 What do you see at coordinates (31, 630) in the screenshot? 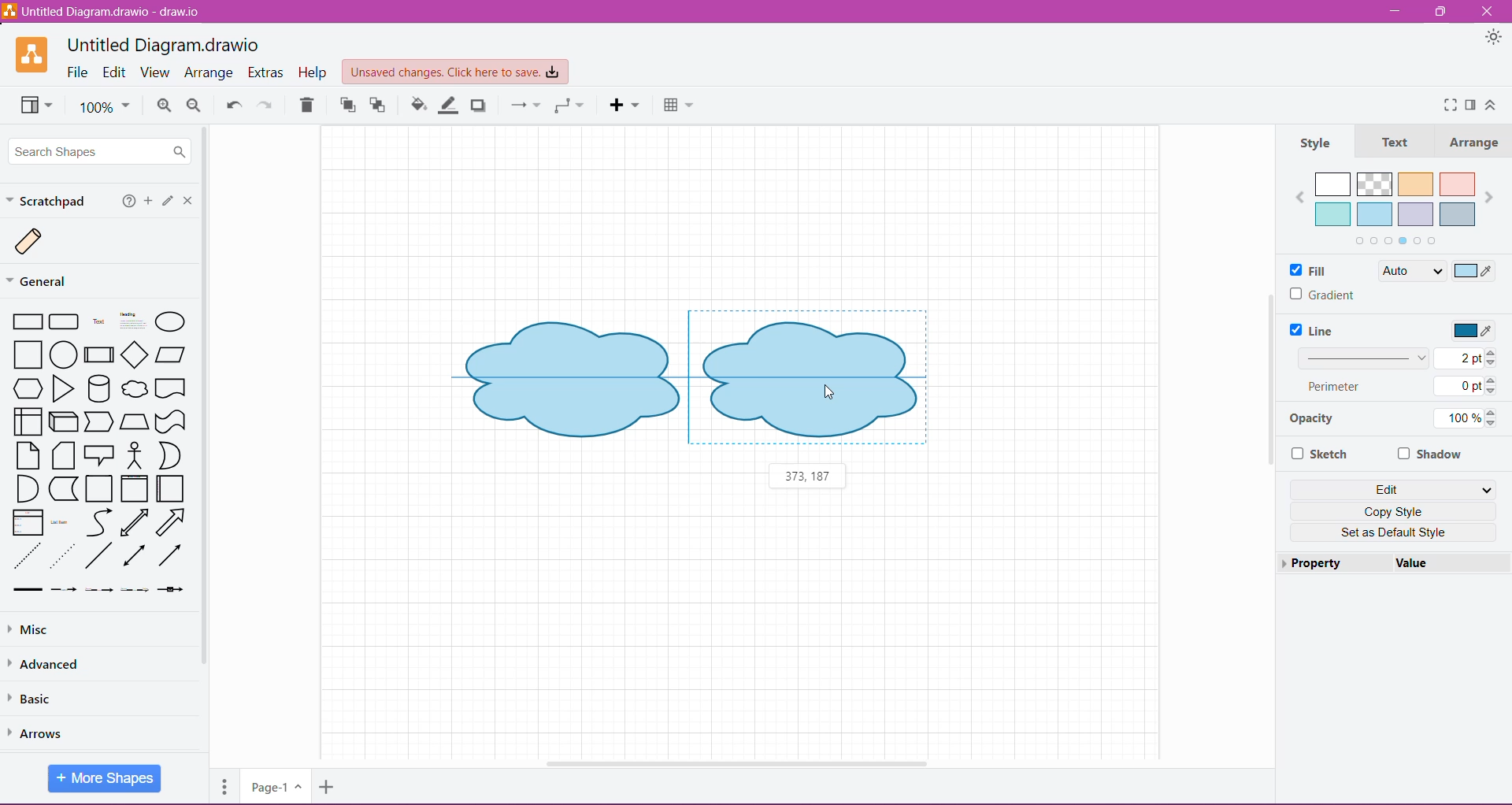
I see `Misc` at bounding box center [31, 630].